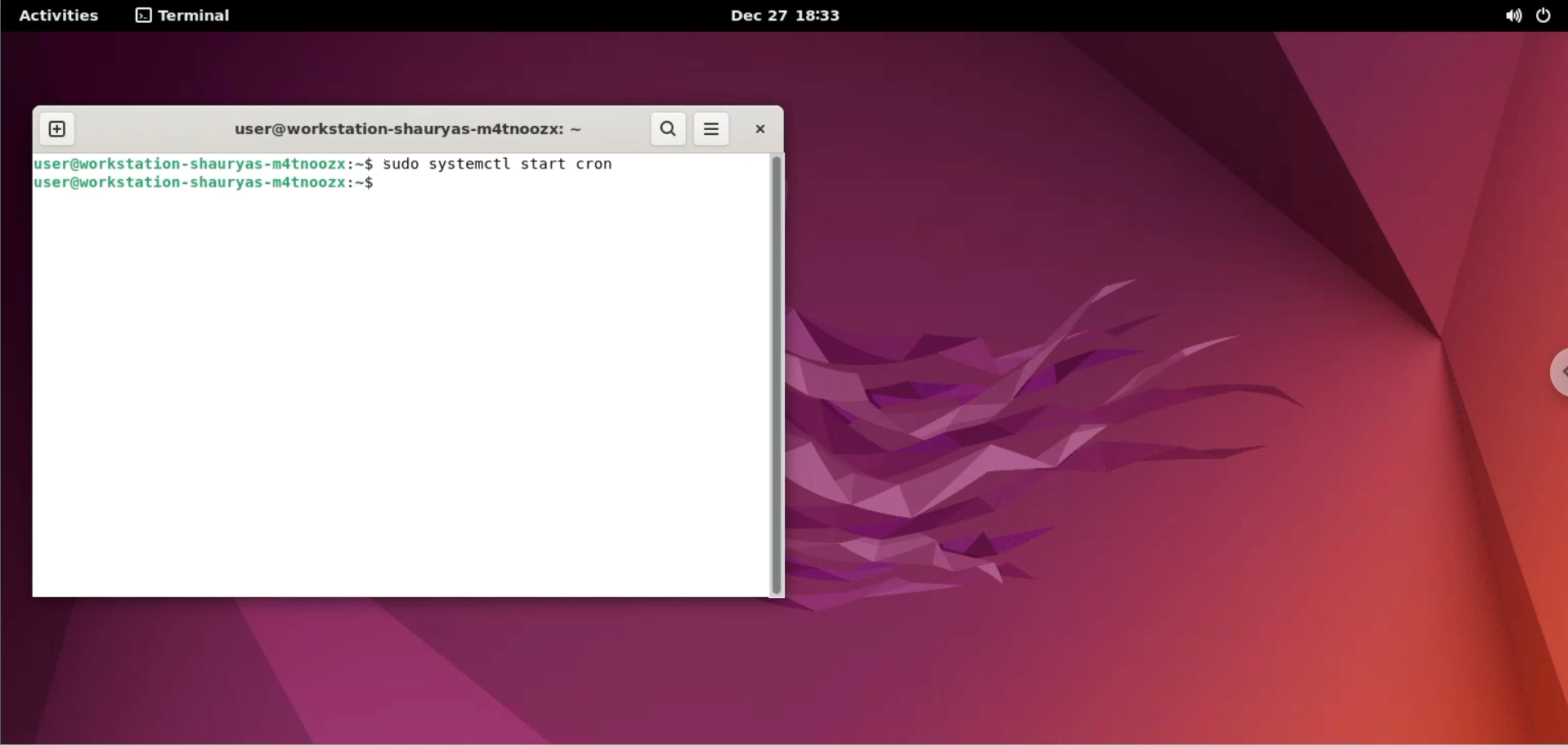 Image resolution: width=1568 pixels, height=746 pixels. I want to click on search, so click(670, 131).